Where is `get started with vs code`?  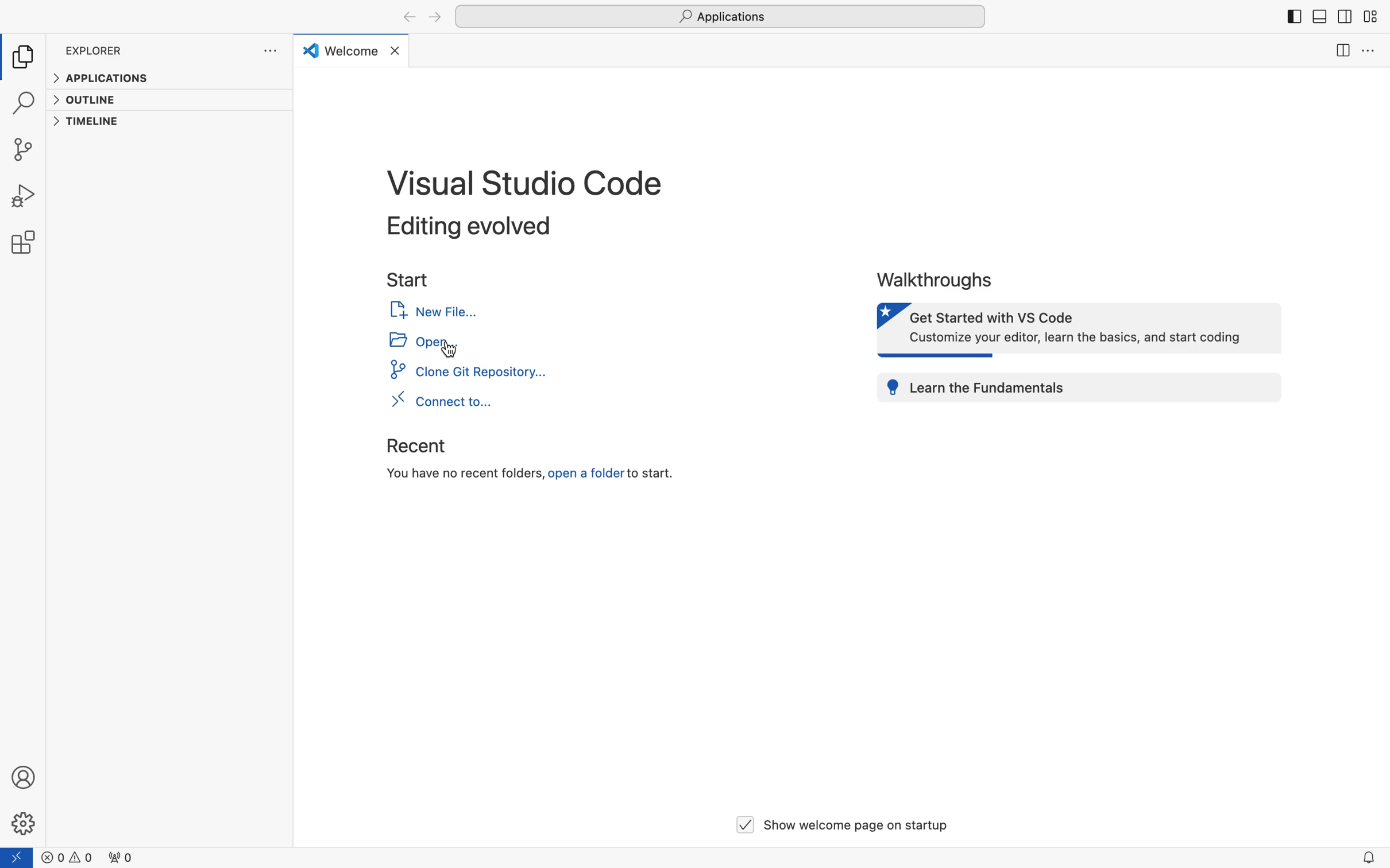 get started with vs code is located at coordinates (1074, 329).